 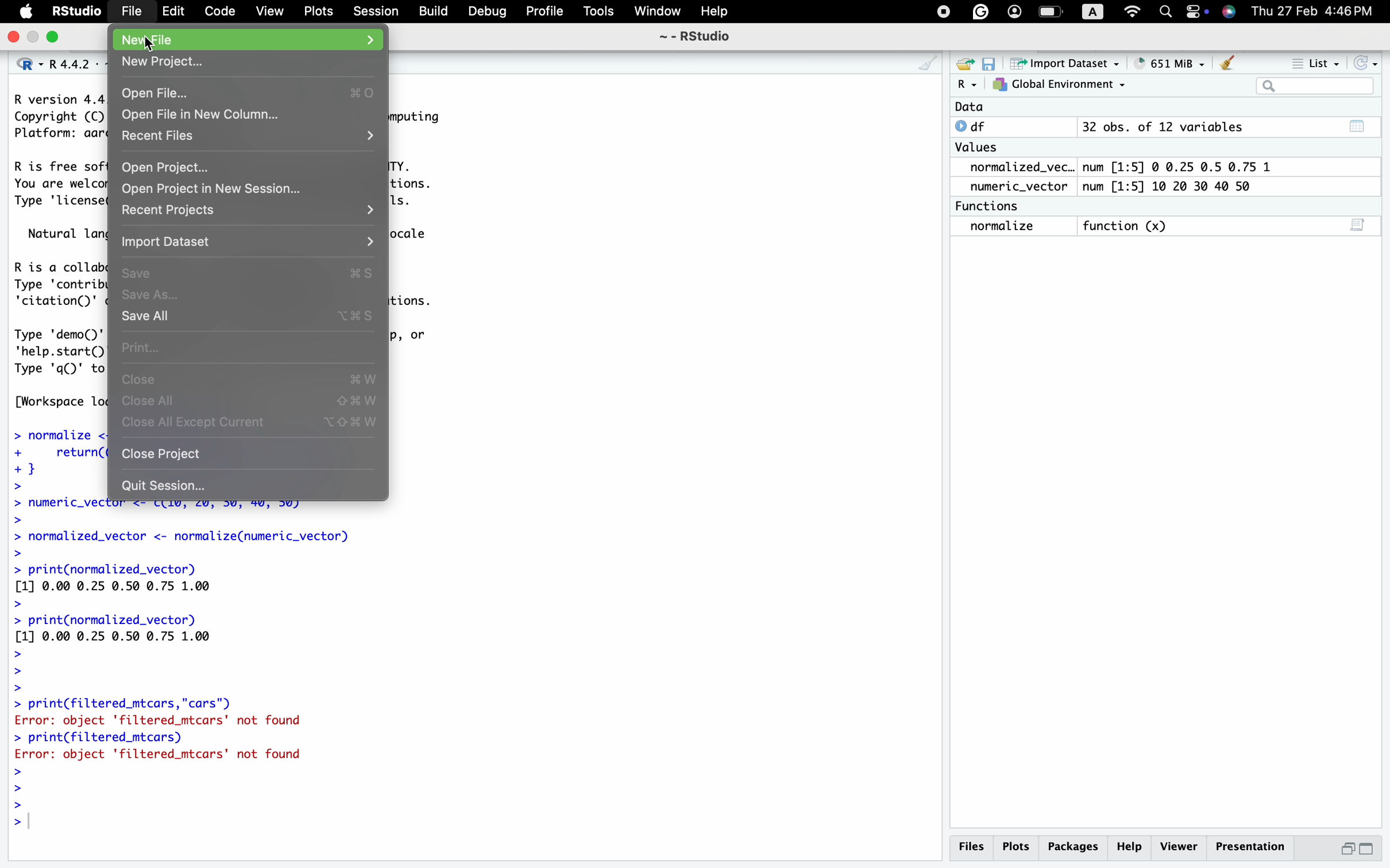 What do you see at coordinates (1255, 845) in the screenshot?
I see `Presentation` at bounding box center [1255, 845].